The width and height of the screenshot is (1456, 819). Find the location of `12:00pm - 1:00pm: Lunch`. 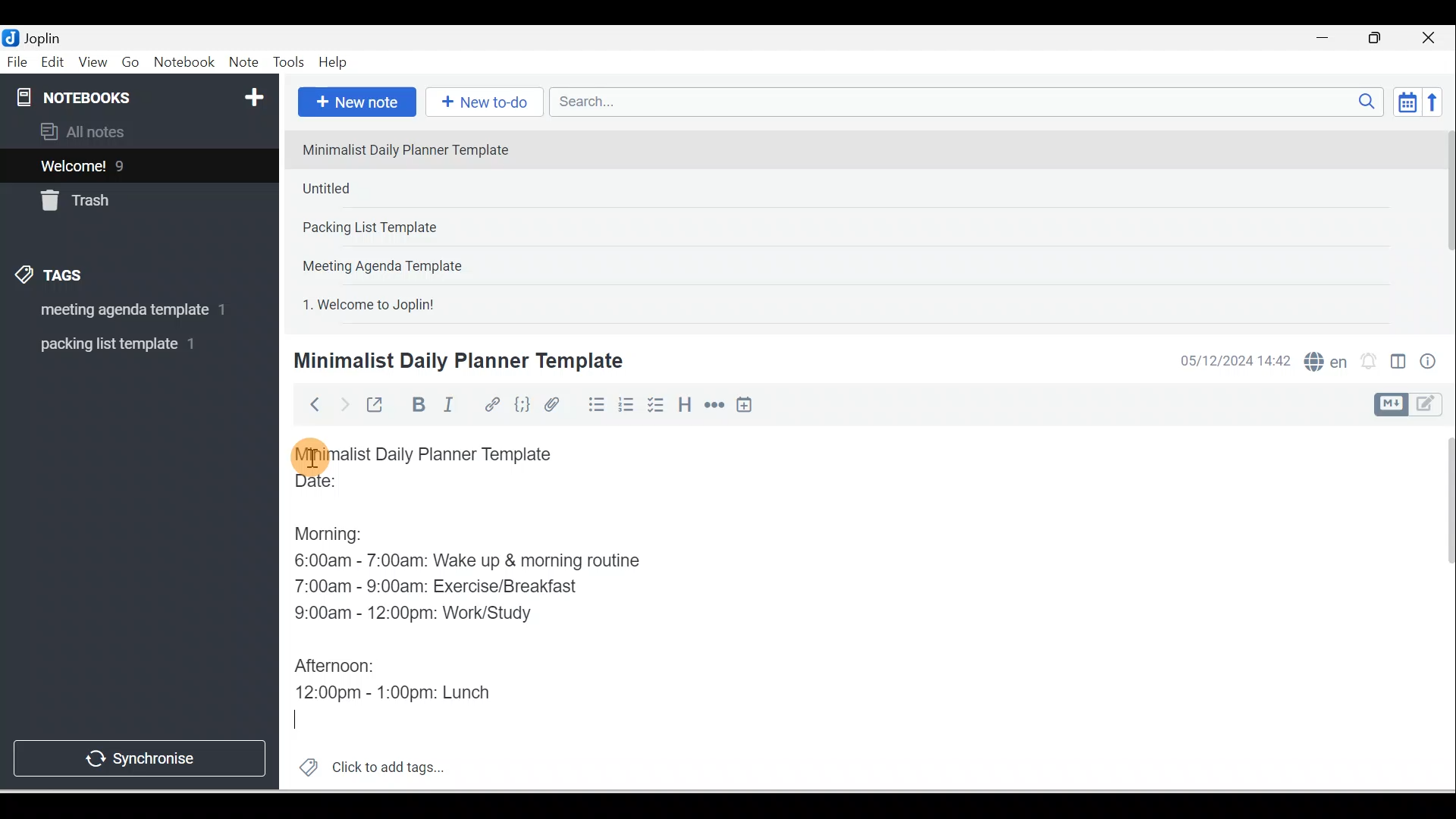

12:00pm - 1:00pm: Lunch is located at coordinates (412, 688).